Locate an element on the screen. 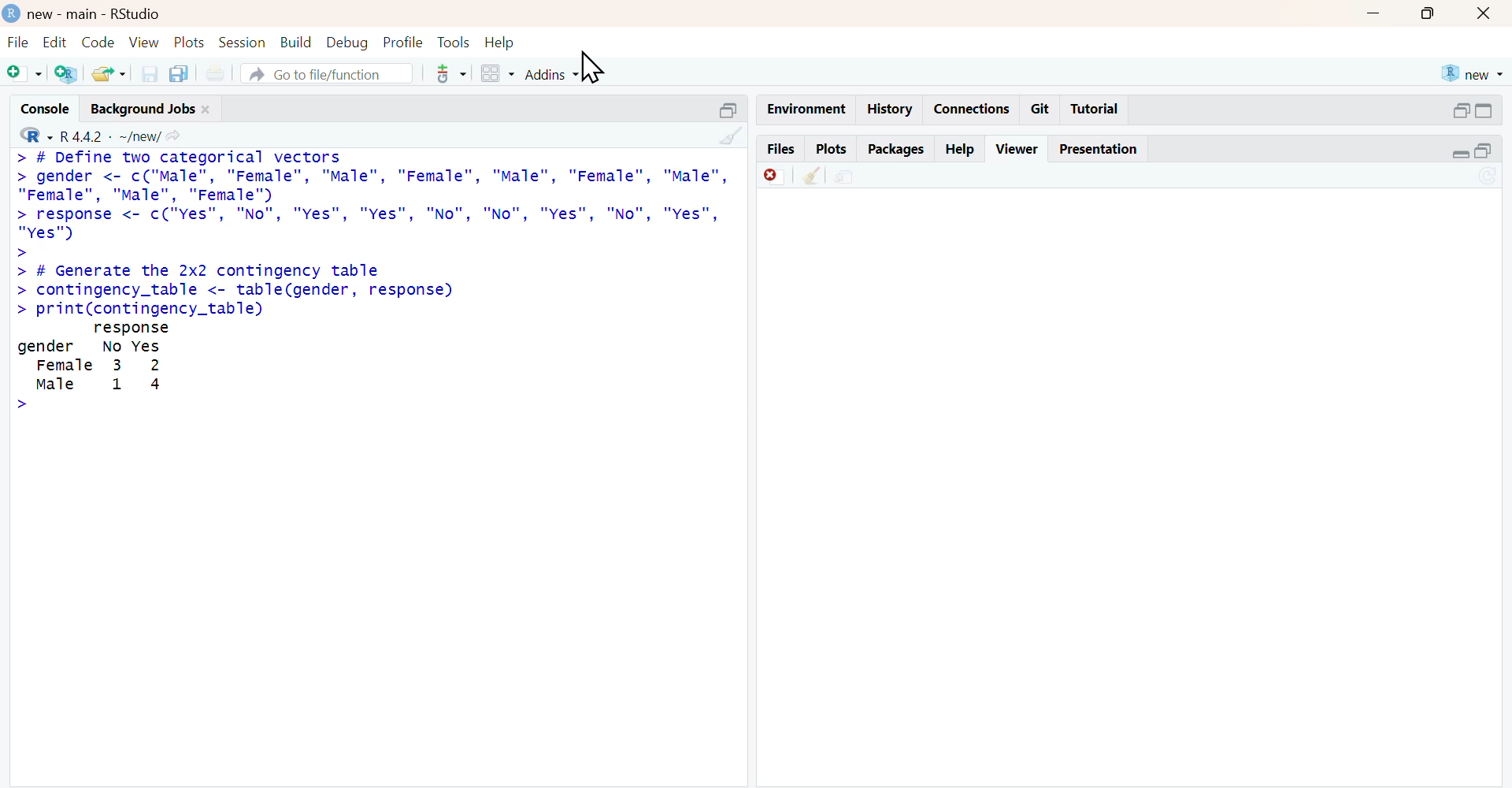  build is located at coordinates (297, 42).